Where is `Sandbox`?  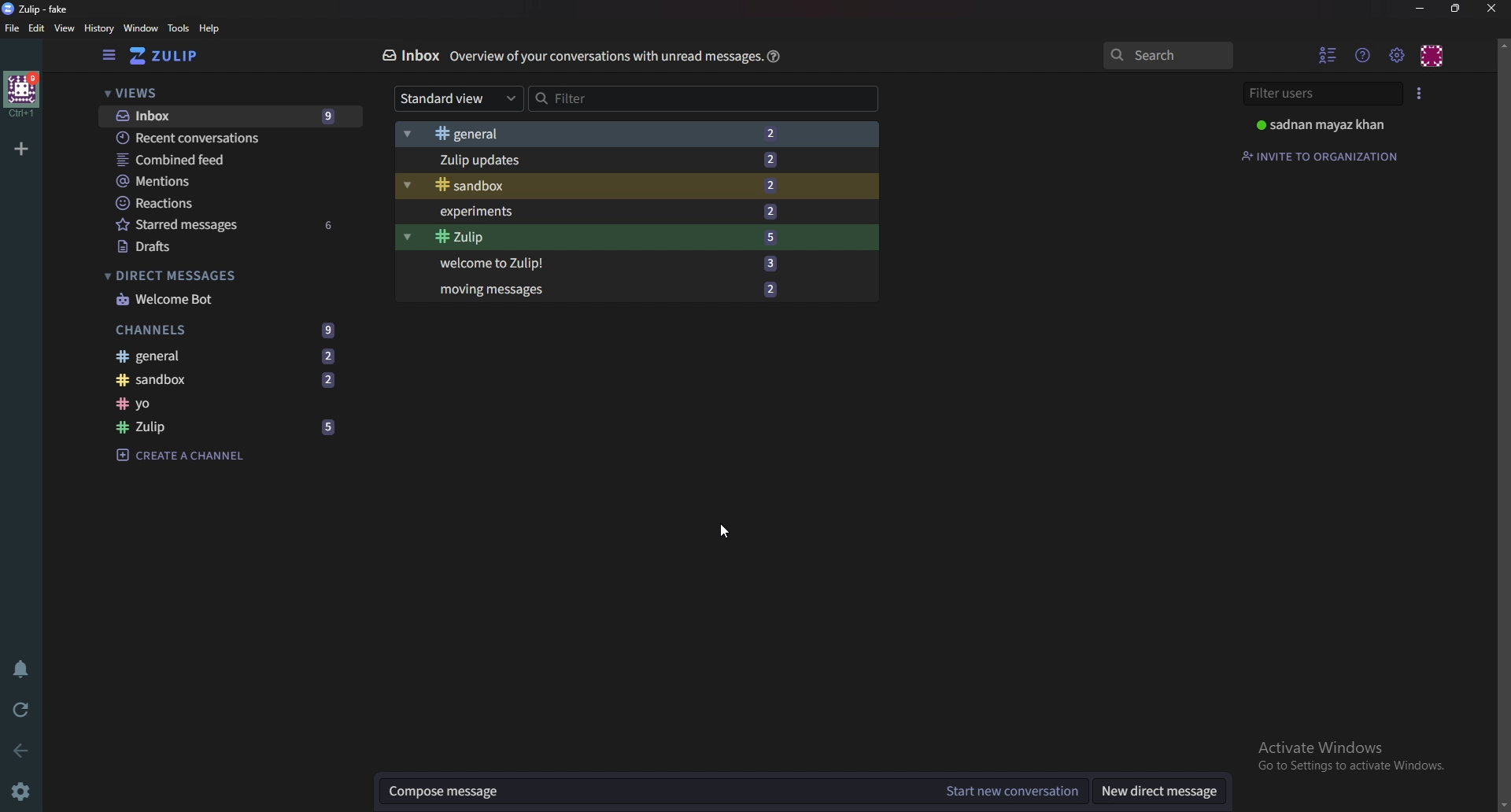
Sandbox is located at coordinates (615, 185).